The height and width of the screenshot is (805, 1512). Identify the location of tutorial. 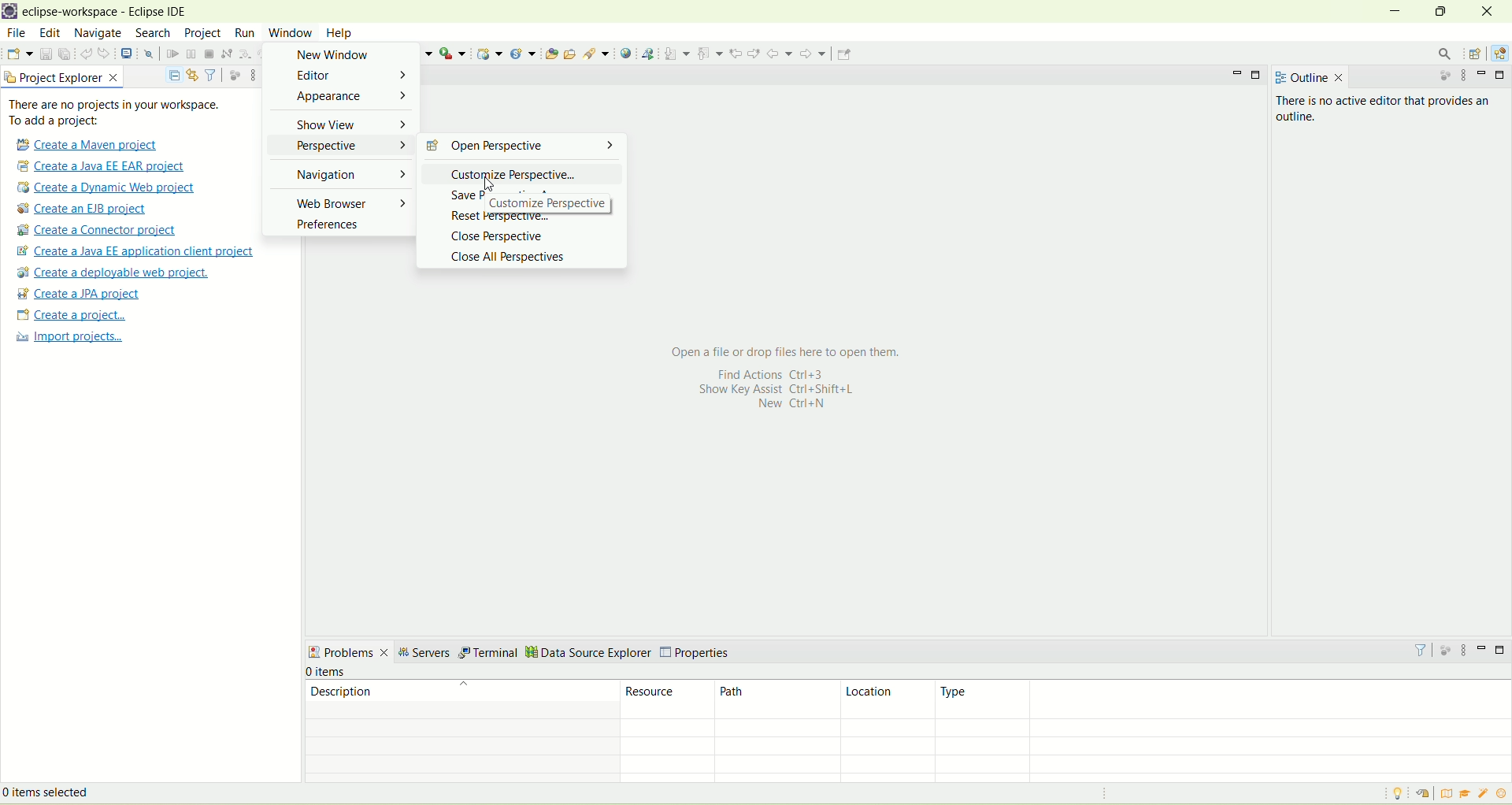
(1466, 793).